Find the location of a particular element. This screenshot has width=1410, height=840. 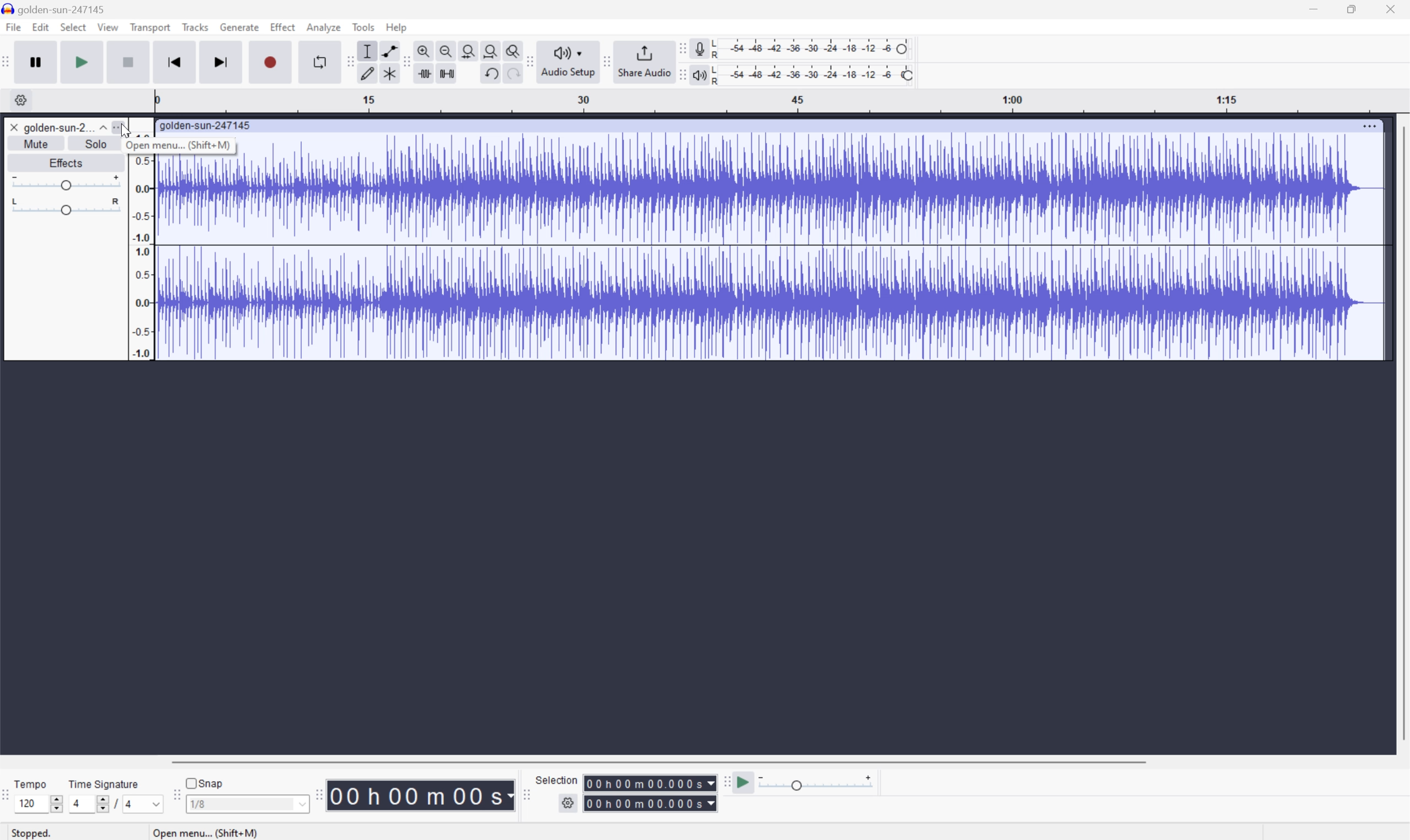

Close is located at coordinates (1396, 8).